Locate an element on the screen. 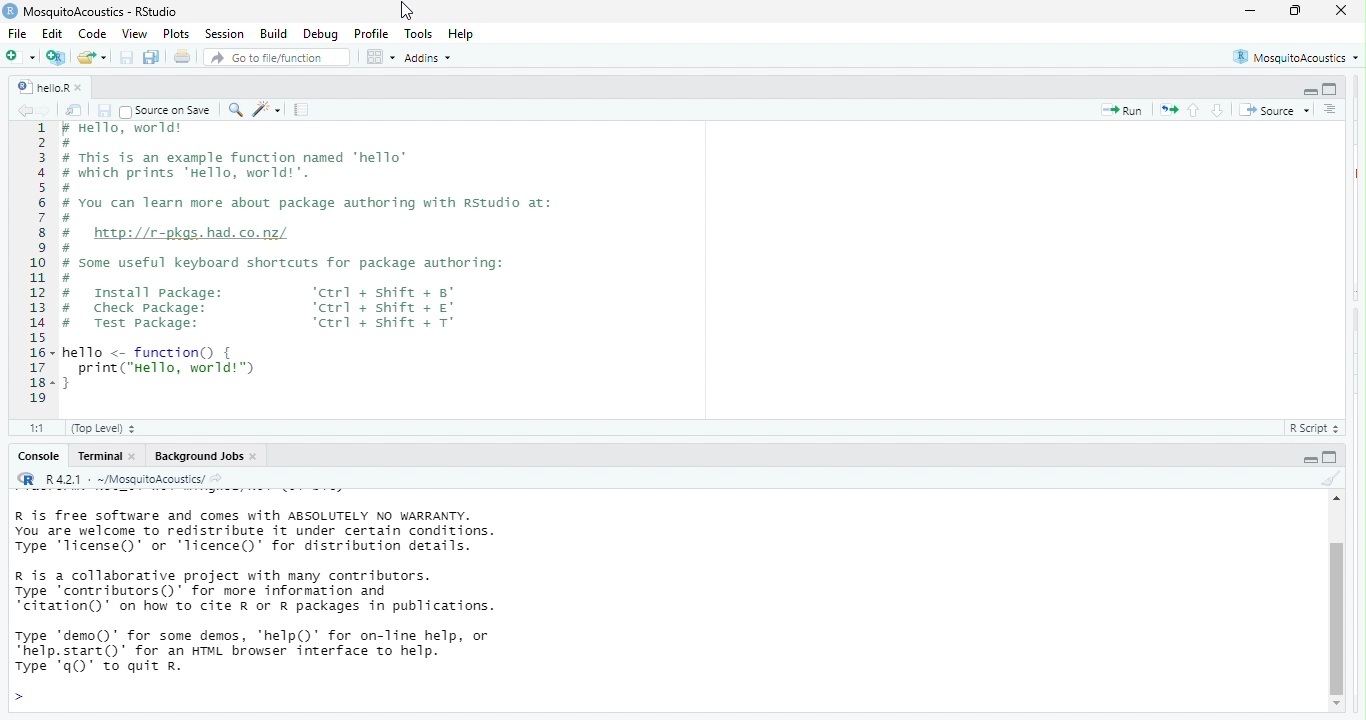 This screenshot has height=720, width=1366. Tools is located at coordinates (418, 35).